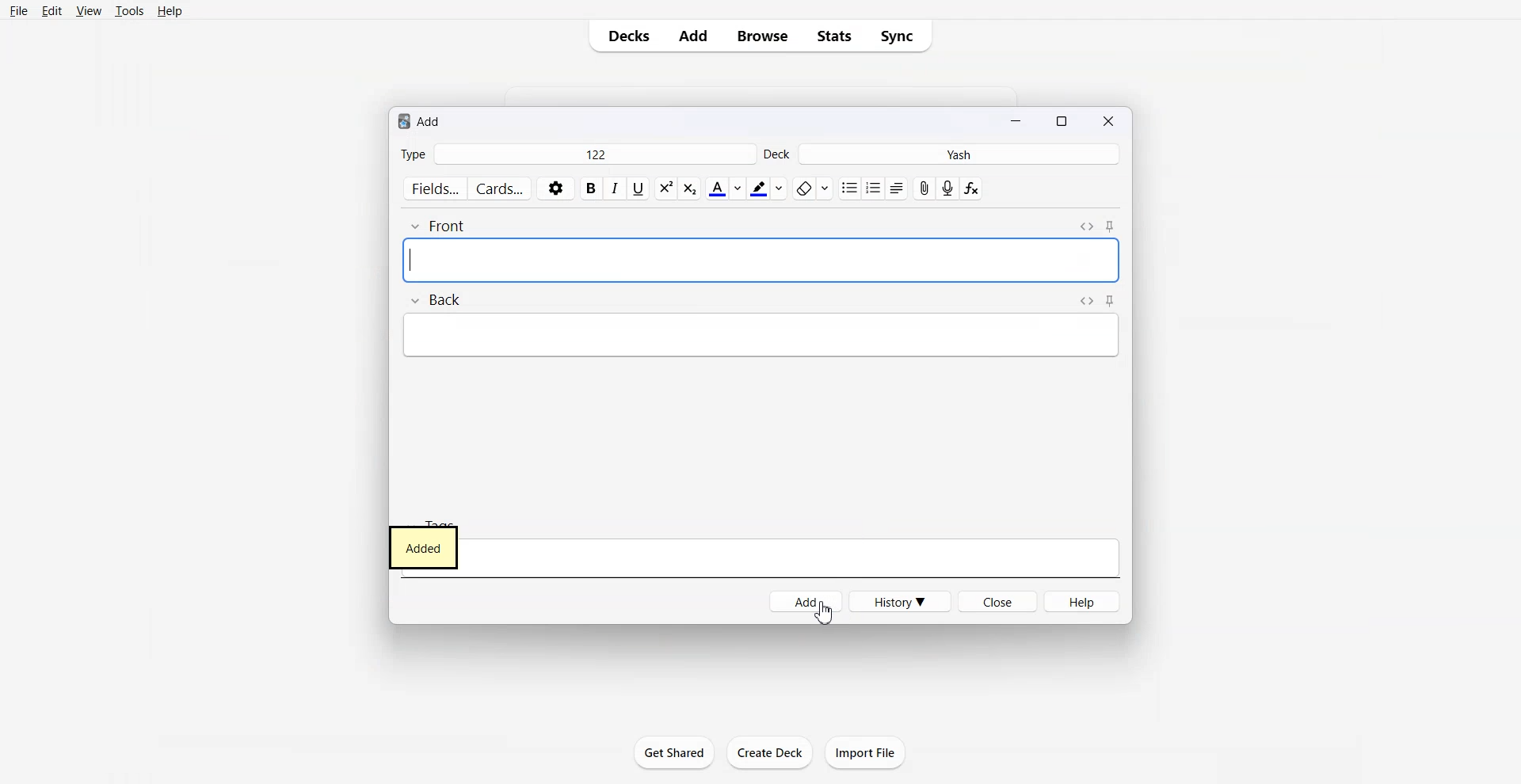  What do you see at coordinates (597, 154) in the screenshot?
I see `122` at bounding box center [597, 154].